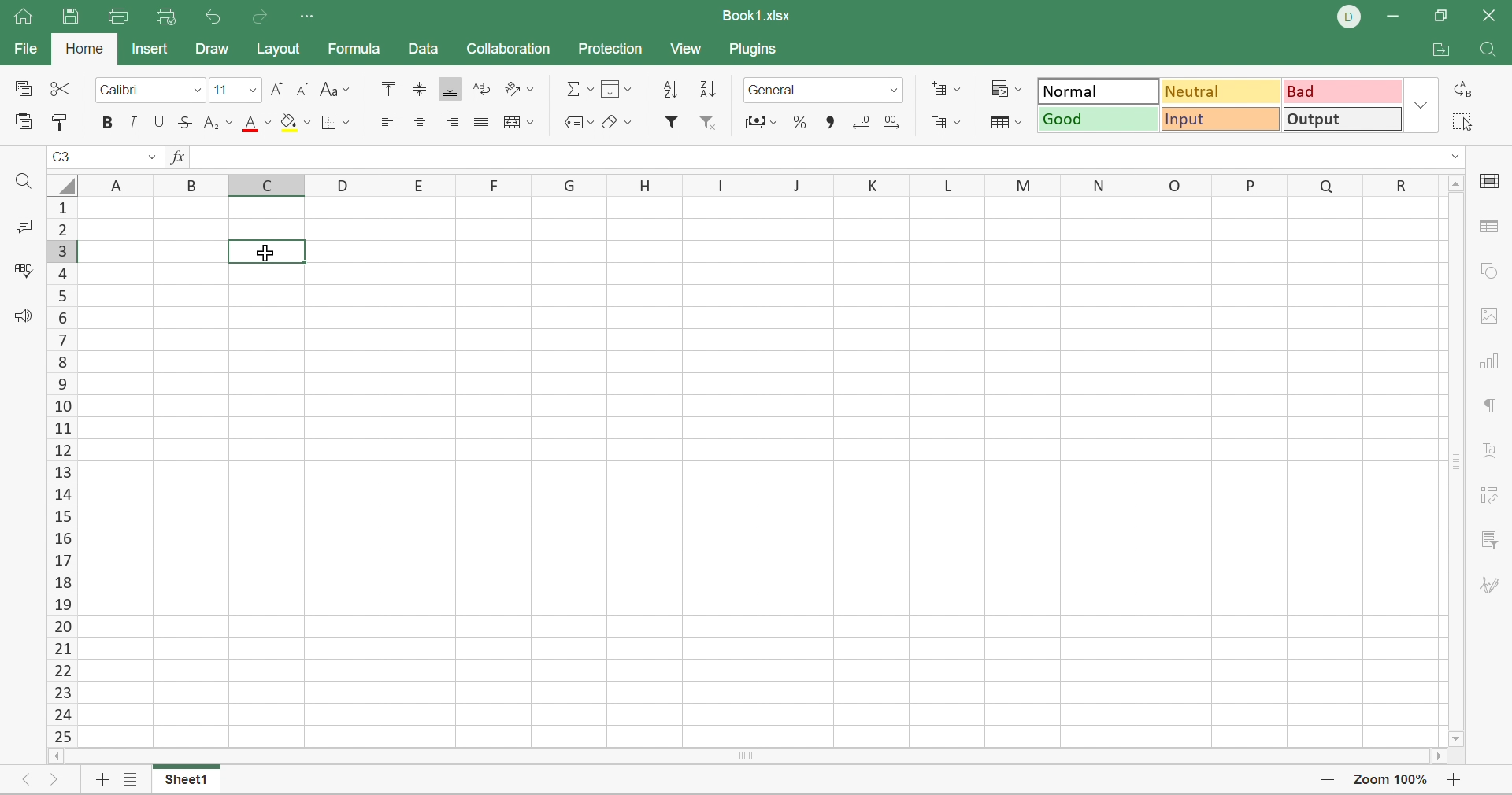 The width and height of the screenshot is (1512, 795). I want to click on Copy style, so click(61, 121).